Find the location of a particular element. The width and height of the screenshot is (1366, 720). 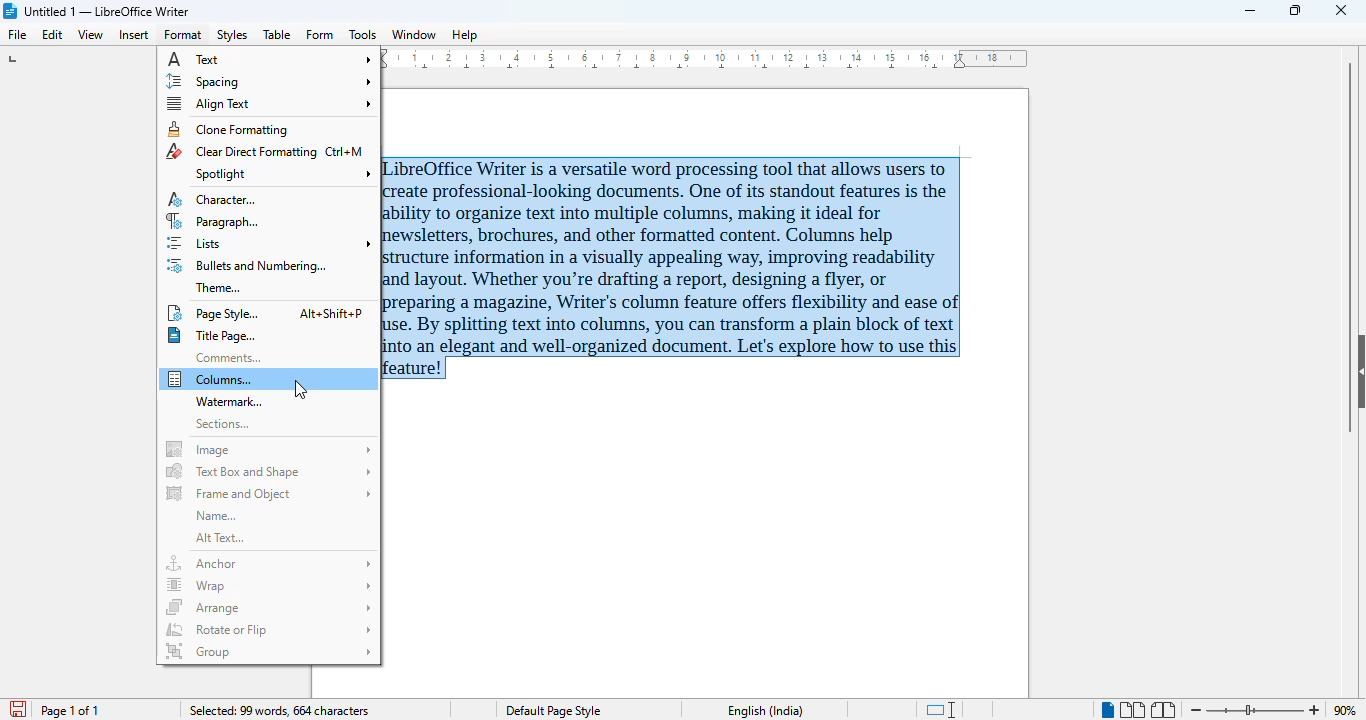

page style is located at coordinates (266, 313).